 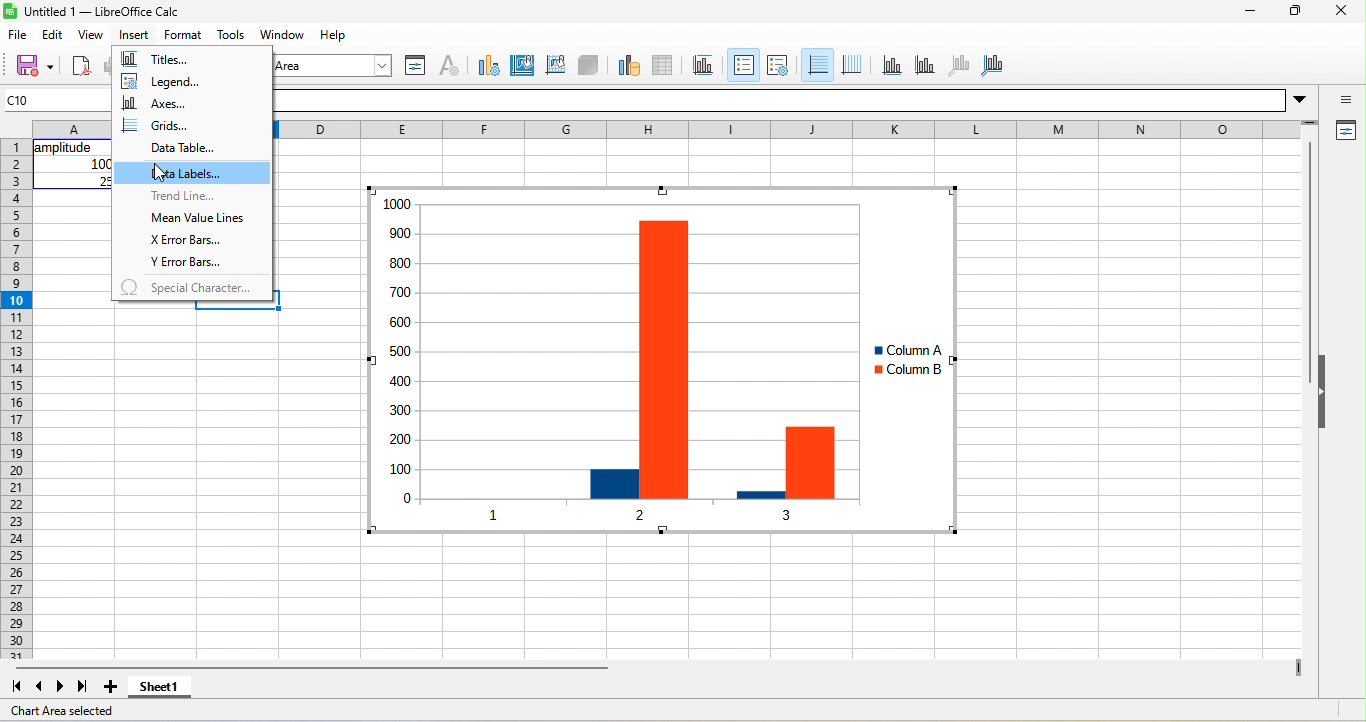 I want to click on x error bars, so click(x=196, y=243).